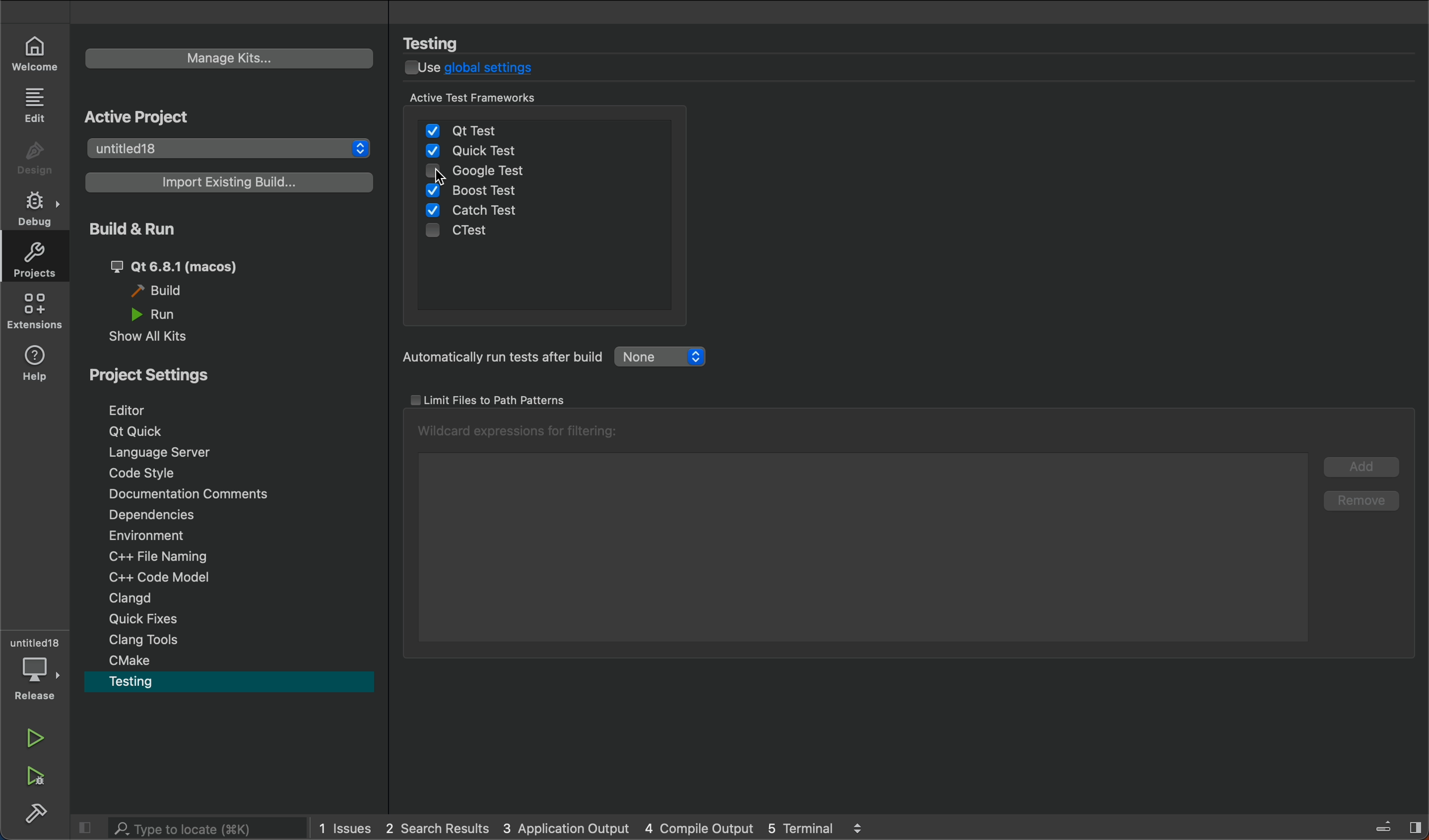 The image size is (1429, 840). I want to click on active project, so click(147, 118).